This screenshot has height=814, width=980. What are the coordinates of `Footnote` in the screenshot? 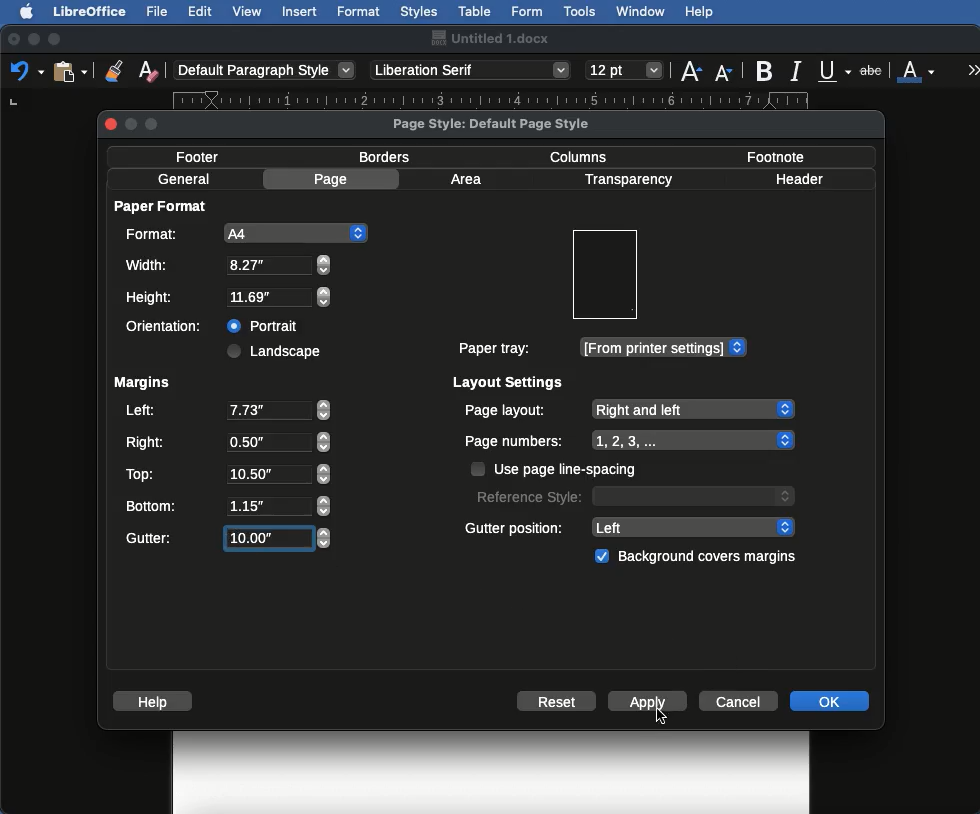 It's located at (774, 156).